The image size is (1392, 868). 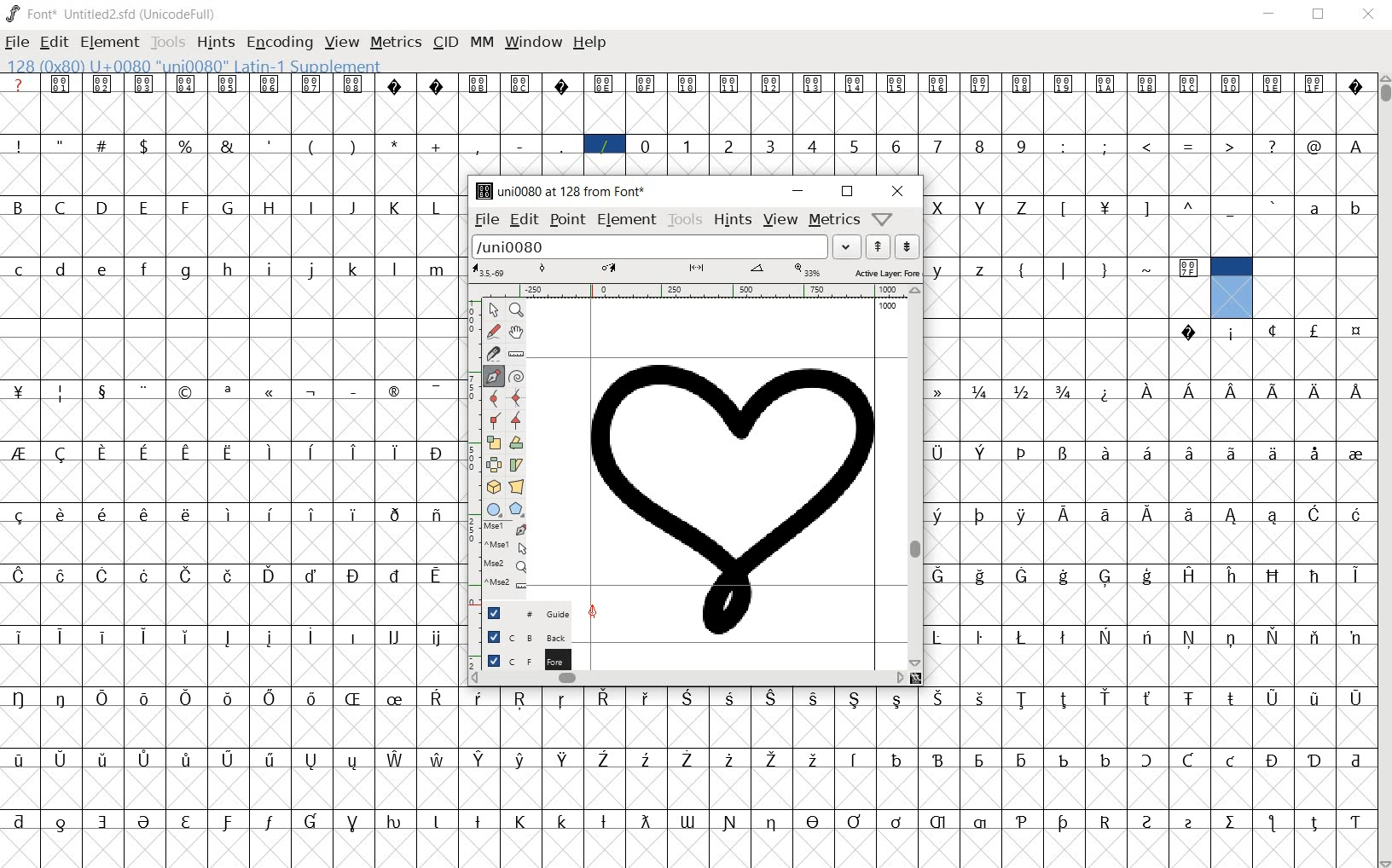 I want to click on glyph, so click(x=1022, y=637).